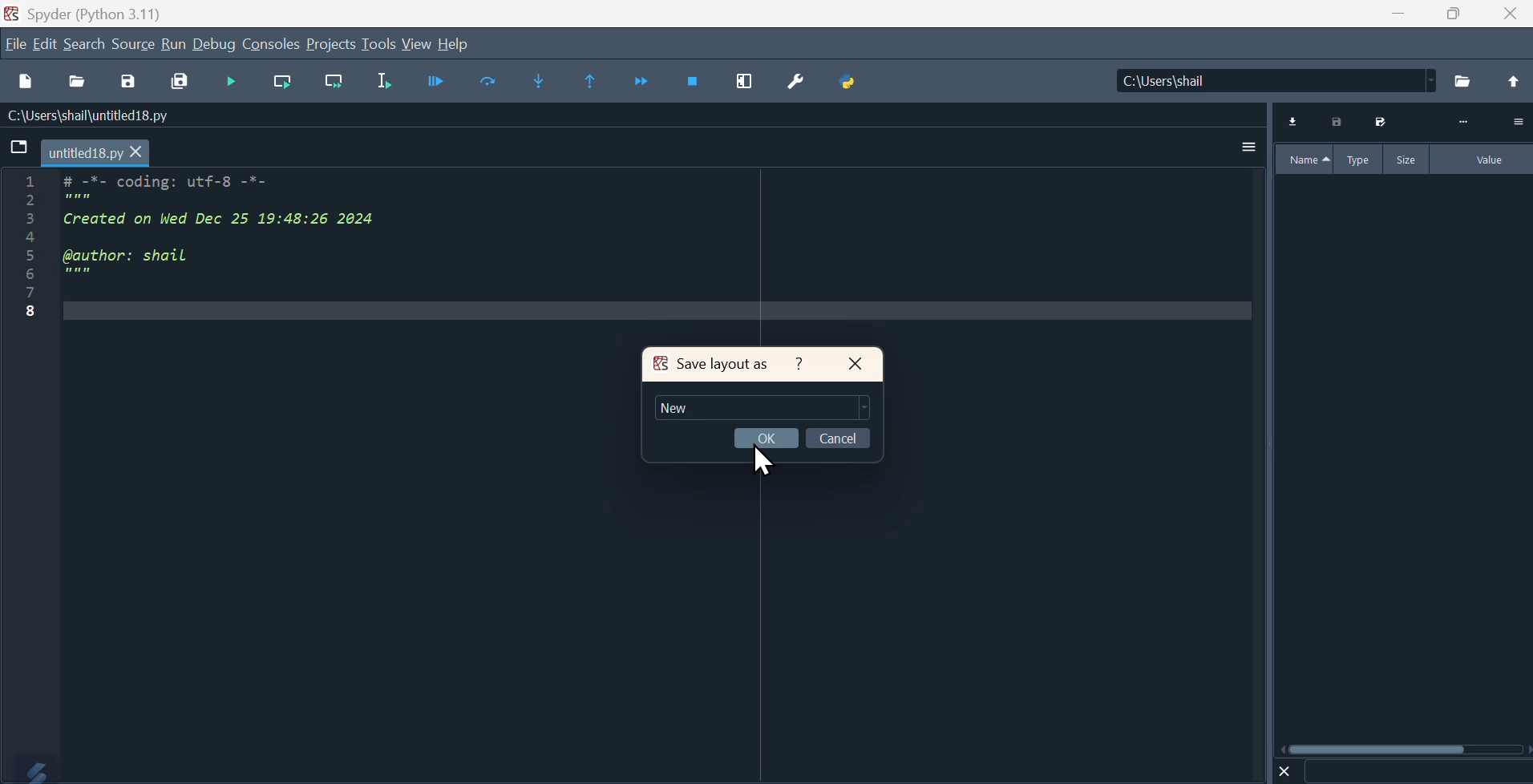 The height and width of the screenshot is (784, 1533). Describe the element at coordinates (85, 117) in the screenshot. I see `C:\Users\shail\untitled18.py` at that location.